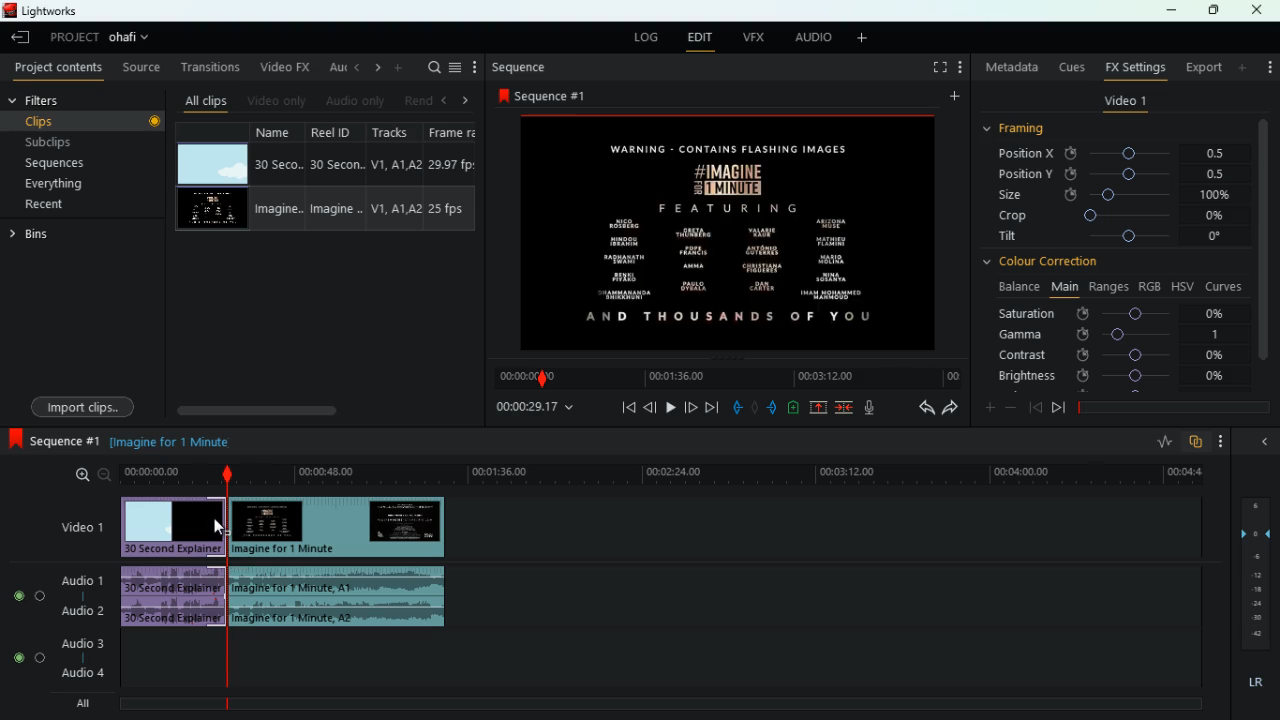  Describe the element at coordinates (866, 39) in the screenshot. I see `more` at that location.